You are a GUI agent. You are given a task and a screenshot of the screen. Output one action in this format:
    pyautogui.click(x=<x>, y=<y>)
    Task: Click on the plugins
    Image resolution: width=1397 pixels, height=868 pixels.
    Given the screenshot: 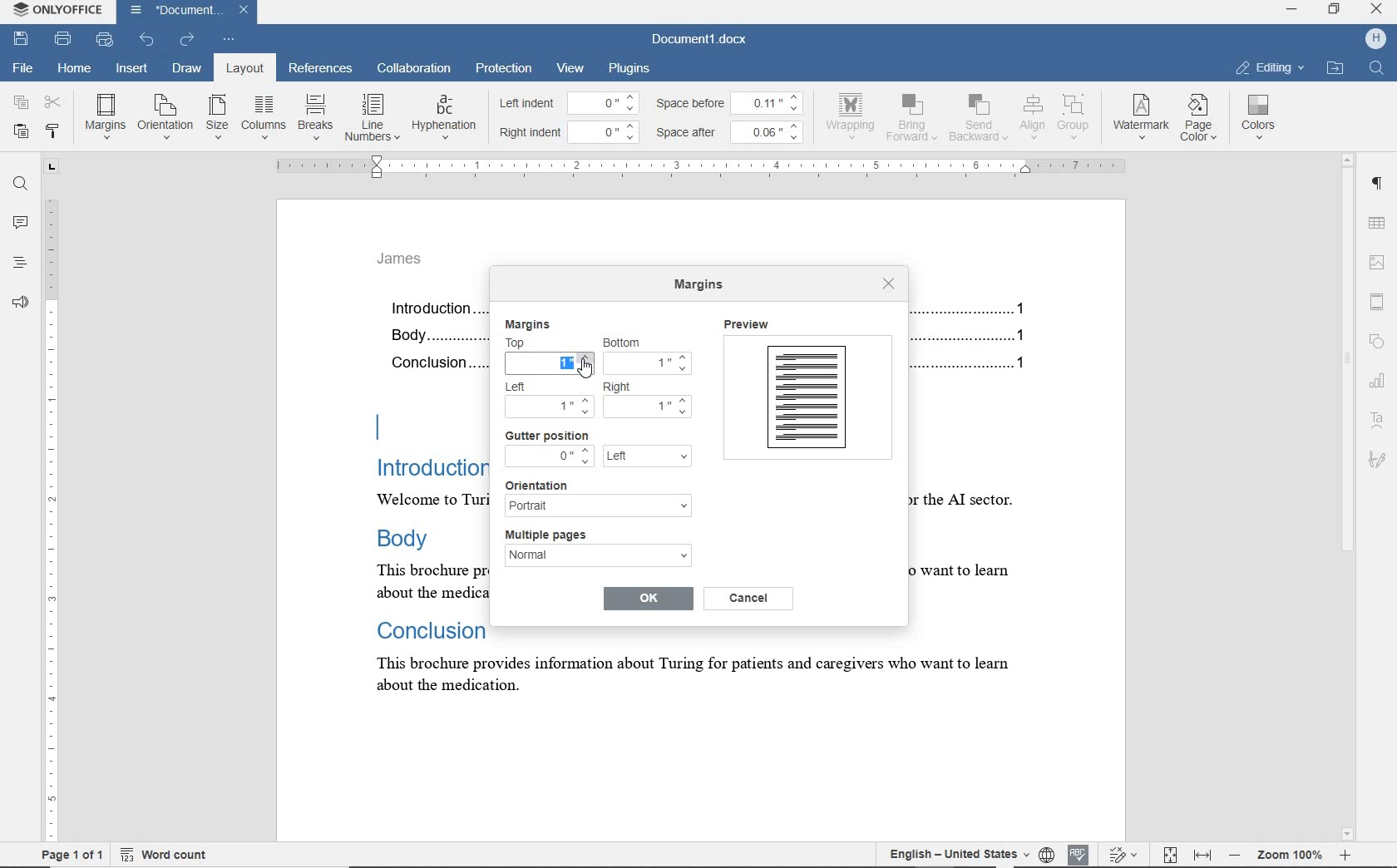 What is the action you would take?
    pyautogui.click(x=632, y=67)
    